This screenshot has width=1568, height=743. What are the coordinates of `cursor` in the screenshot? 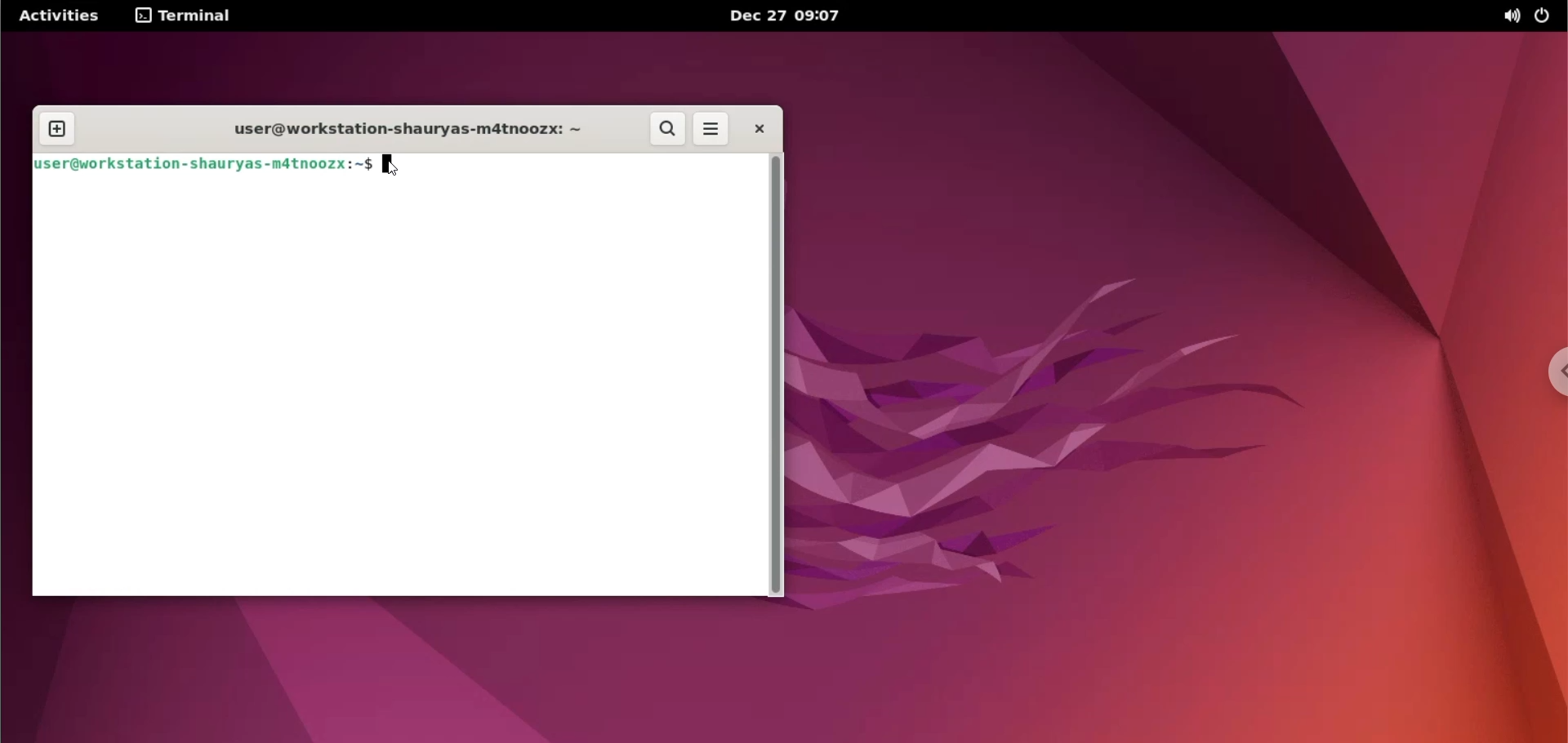 It's located at (388, 162).